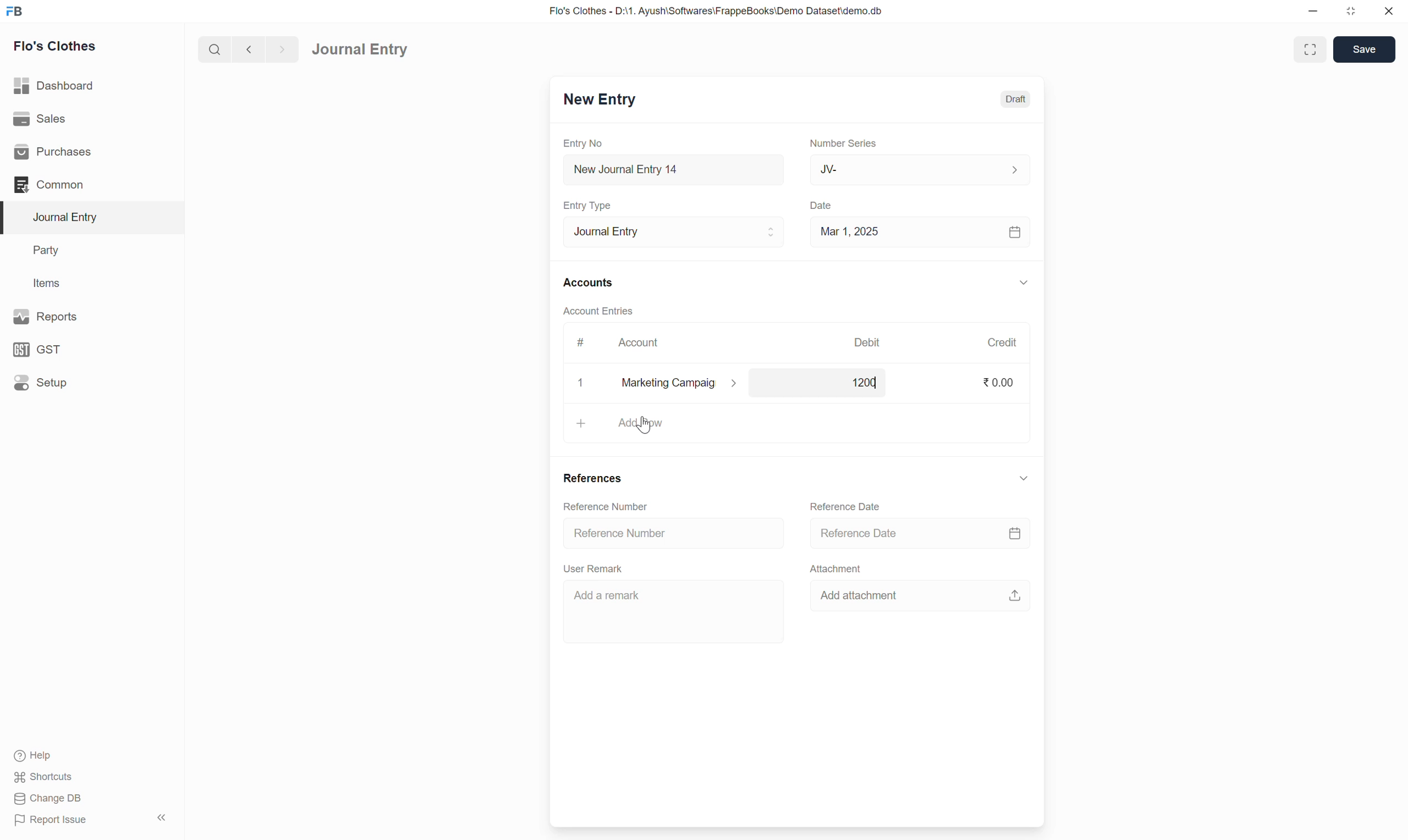  I want to click on Dashboard, so click(55, 85).